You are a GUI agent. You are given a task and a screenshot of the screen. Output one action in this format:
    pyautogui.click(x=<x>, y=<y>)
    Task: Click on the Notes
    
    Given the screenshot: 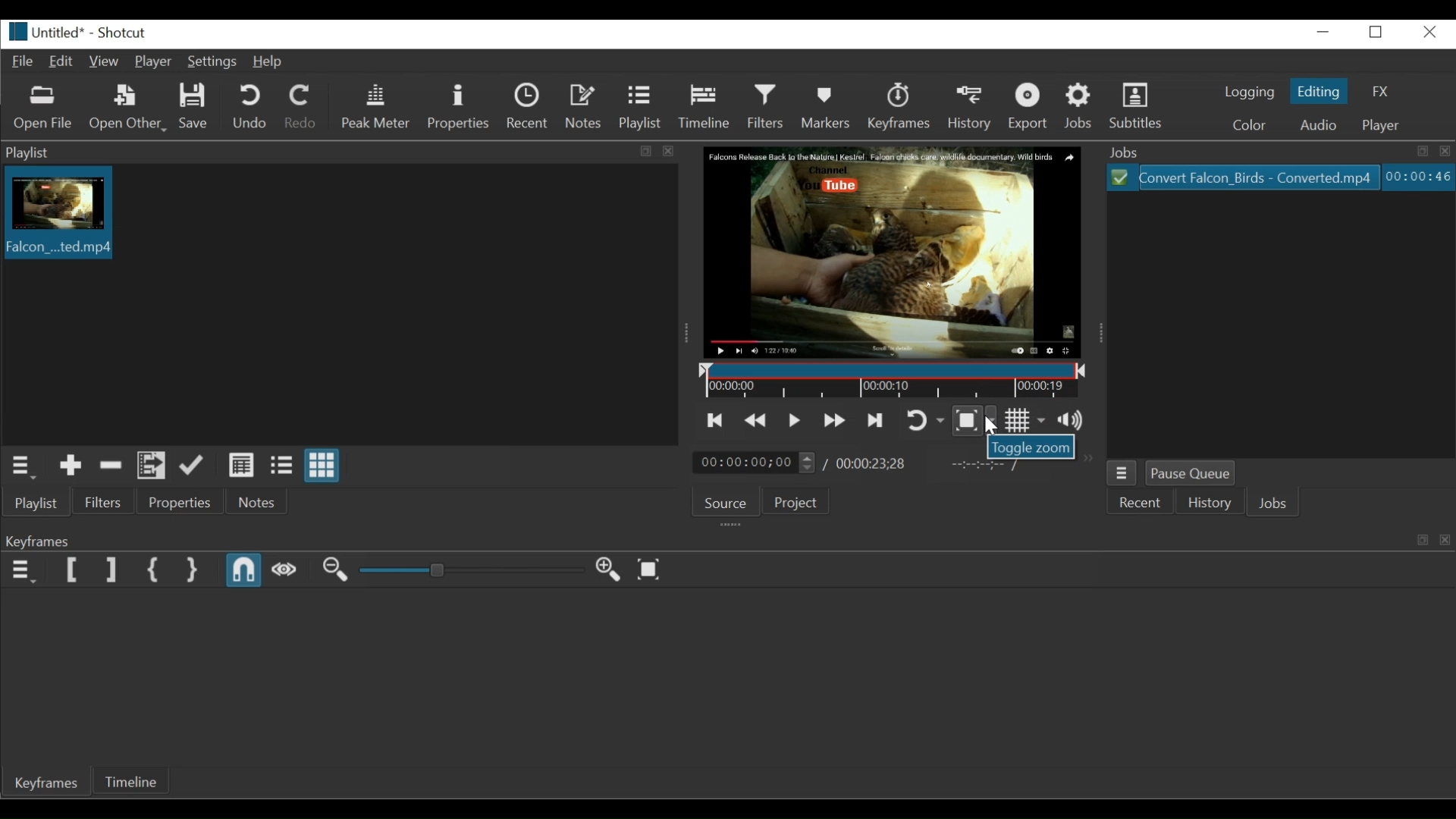 What is the action you would take?
    pyautogui.click(x=585, y=106)
    